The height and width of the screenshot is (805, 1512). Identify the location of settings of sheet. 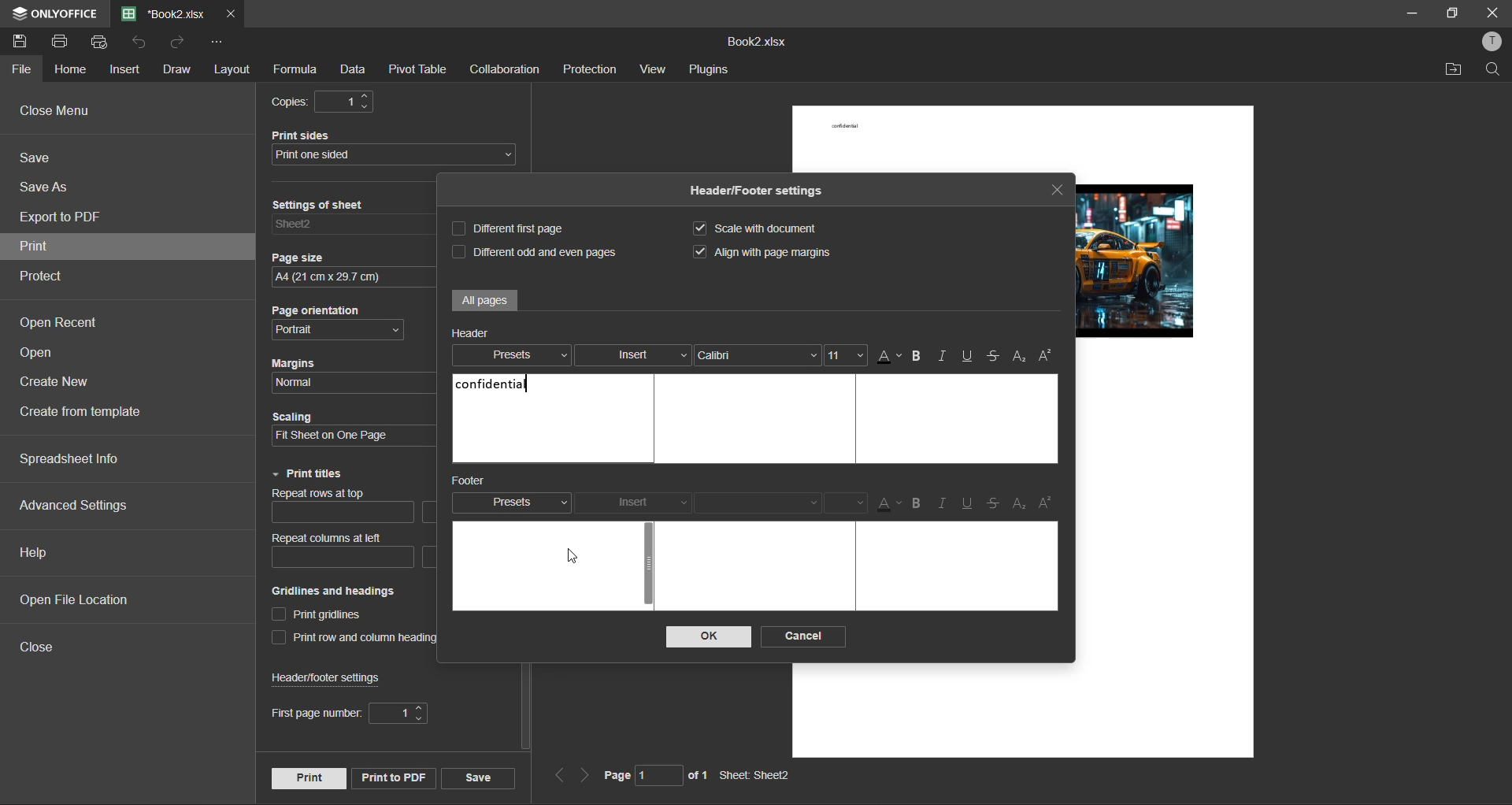
(352, 227).